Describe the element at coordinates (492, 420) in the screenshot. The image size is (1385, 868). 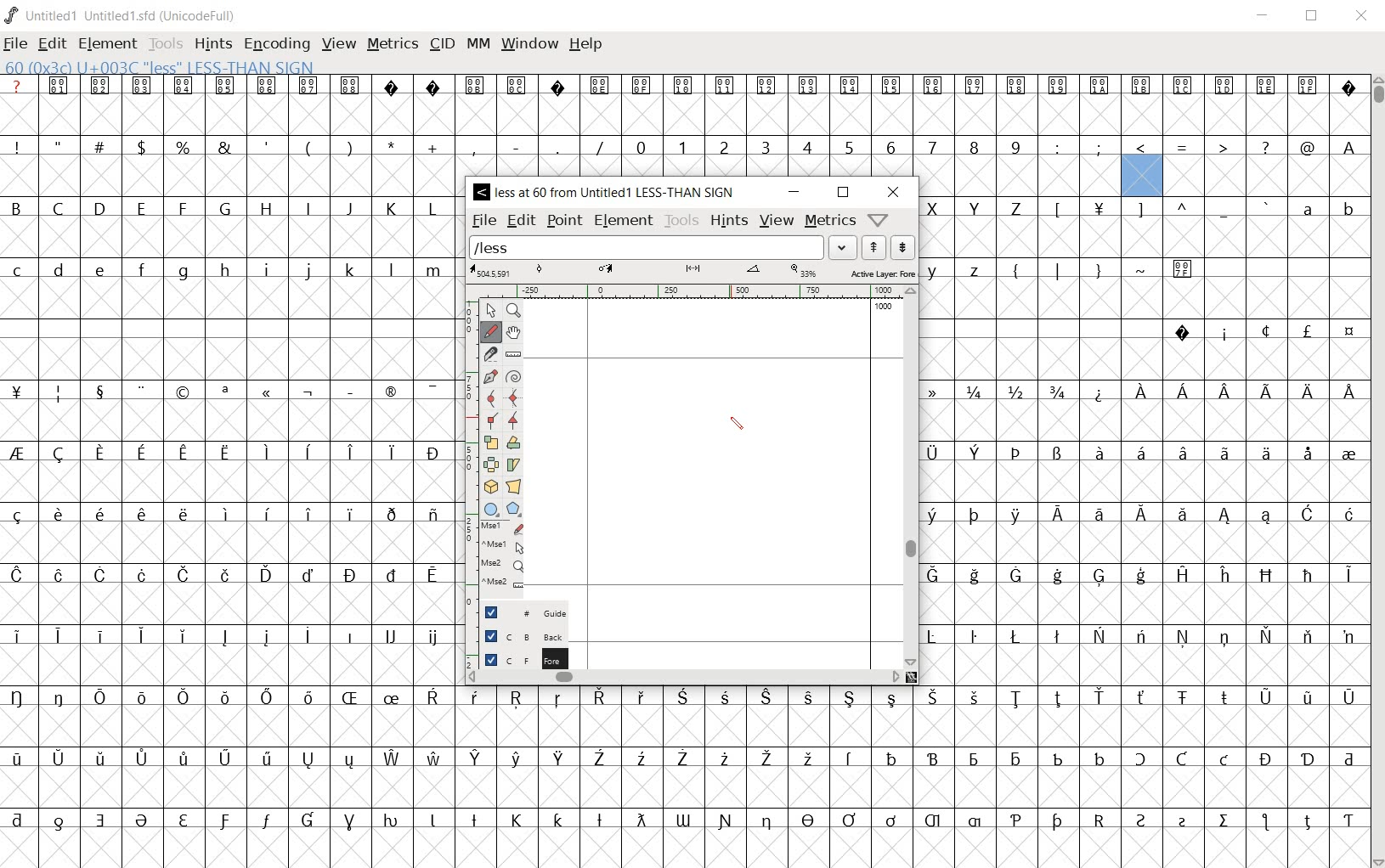
I see `Add a corner point` at that location.